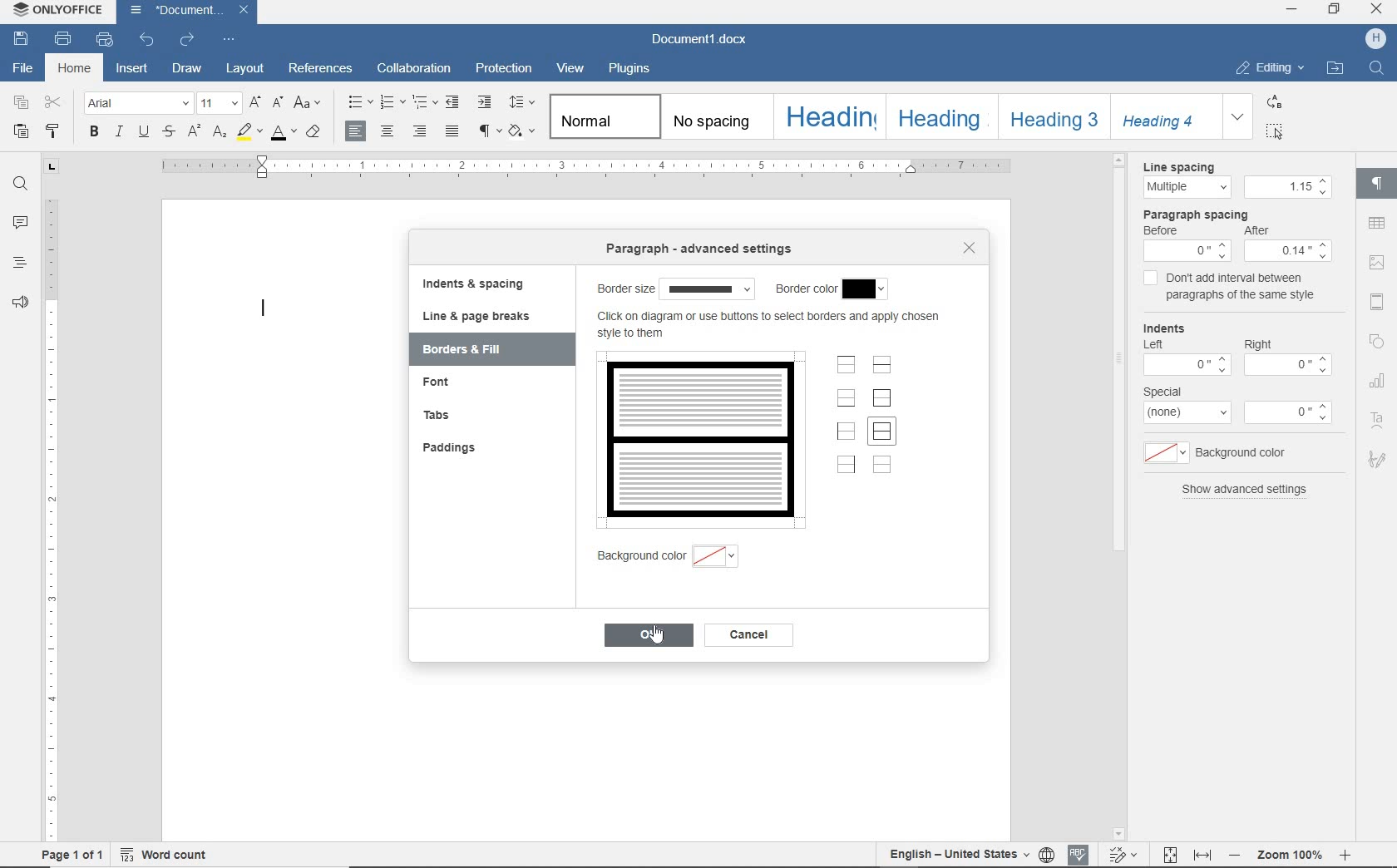 The image size is (1397, 868). I want to click on indents & spacing, so click(474, 286).